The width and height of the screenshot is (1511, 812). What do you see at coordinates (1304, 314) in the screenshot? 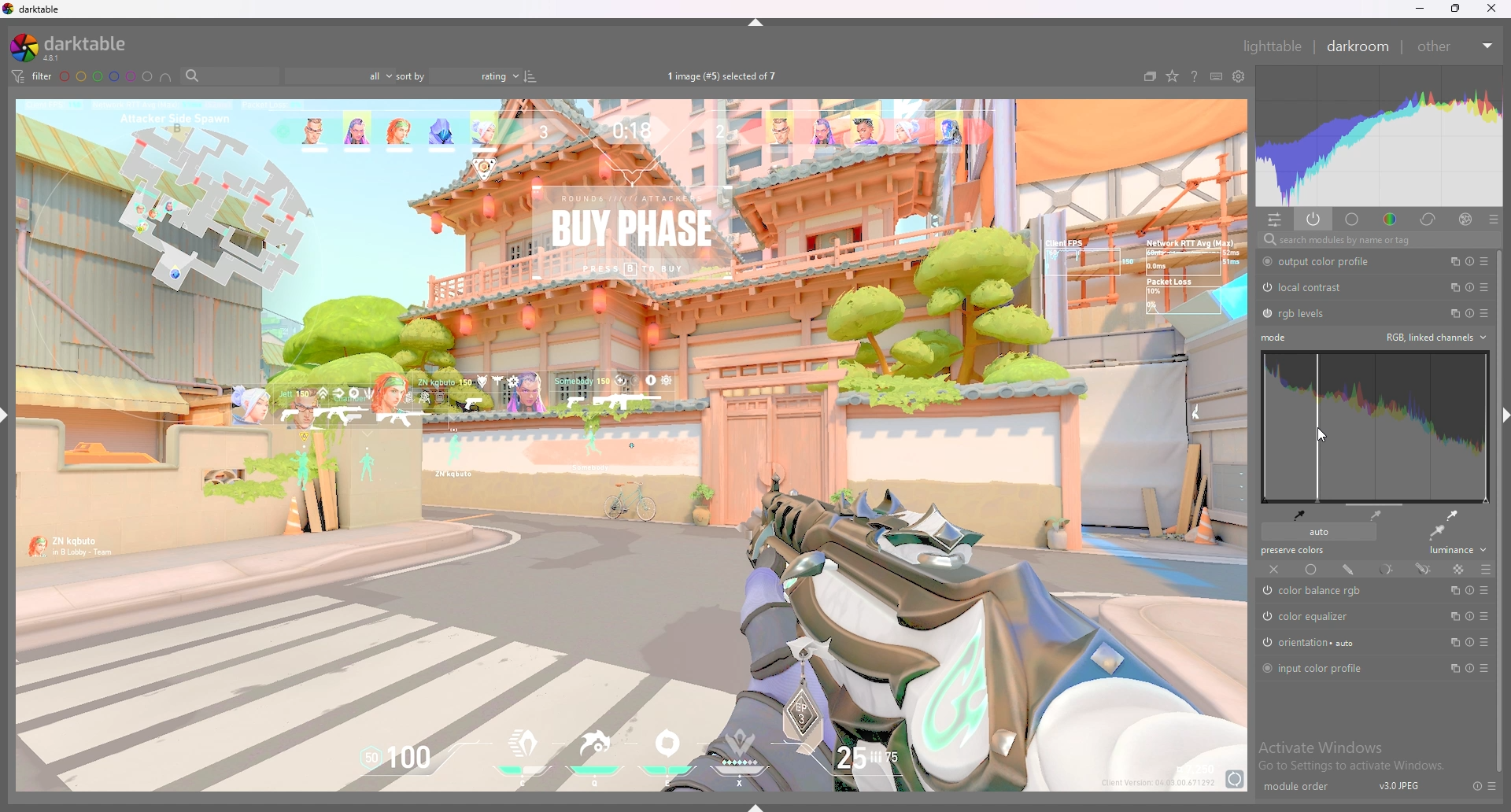
I see `rgb levels` at bounding box center [1304, 314].